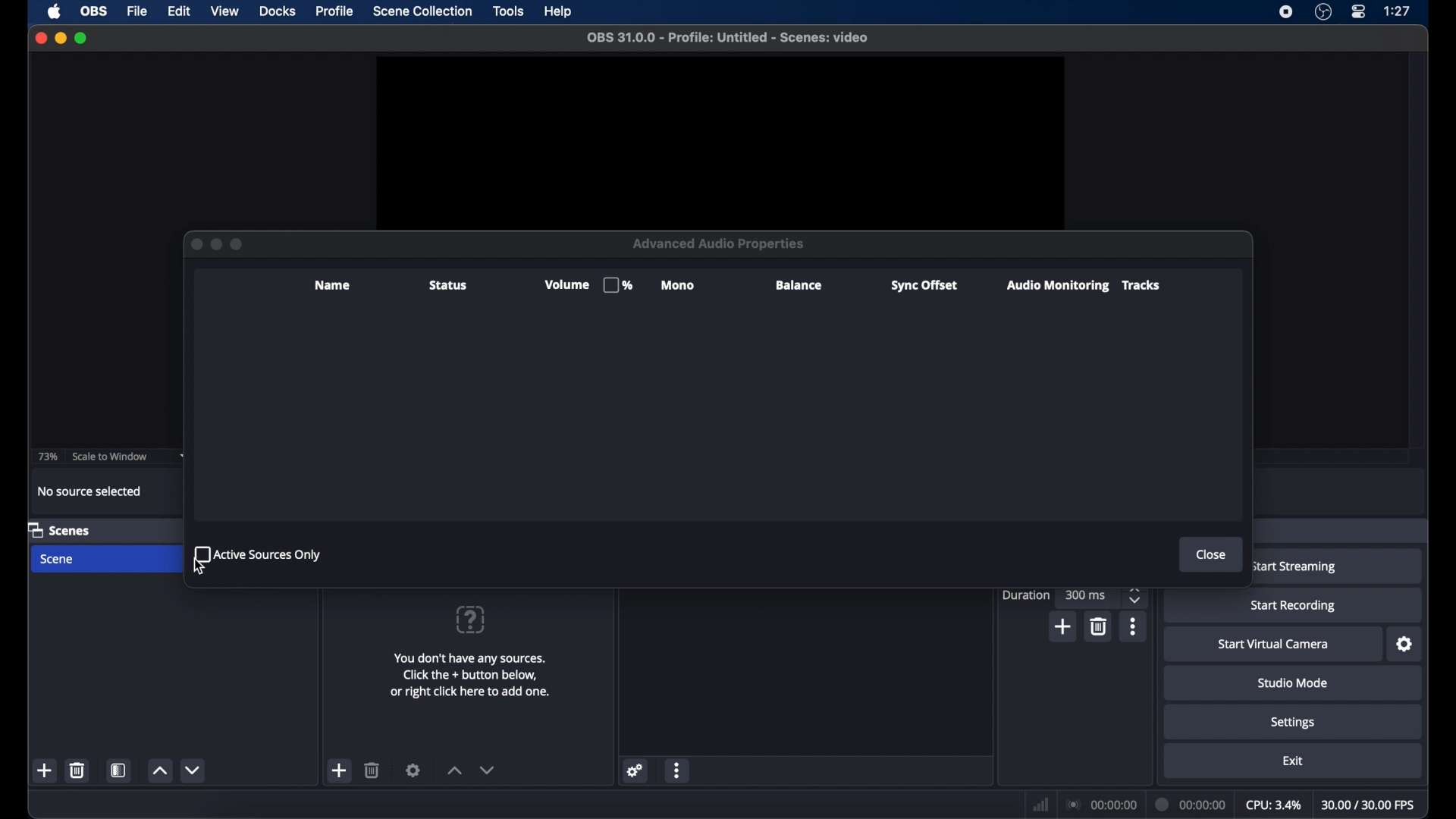 This screenshot has height=819, width=1456. I want to click on , so click(193, 245).